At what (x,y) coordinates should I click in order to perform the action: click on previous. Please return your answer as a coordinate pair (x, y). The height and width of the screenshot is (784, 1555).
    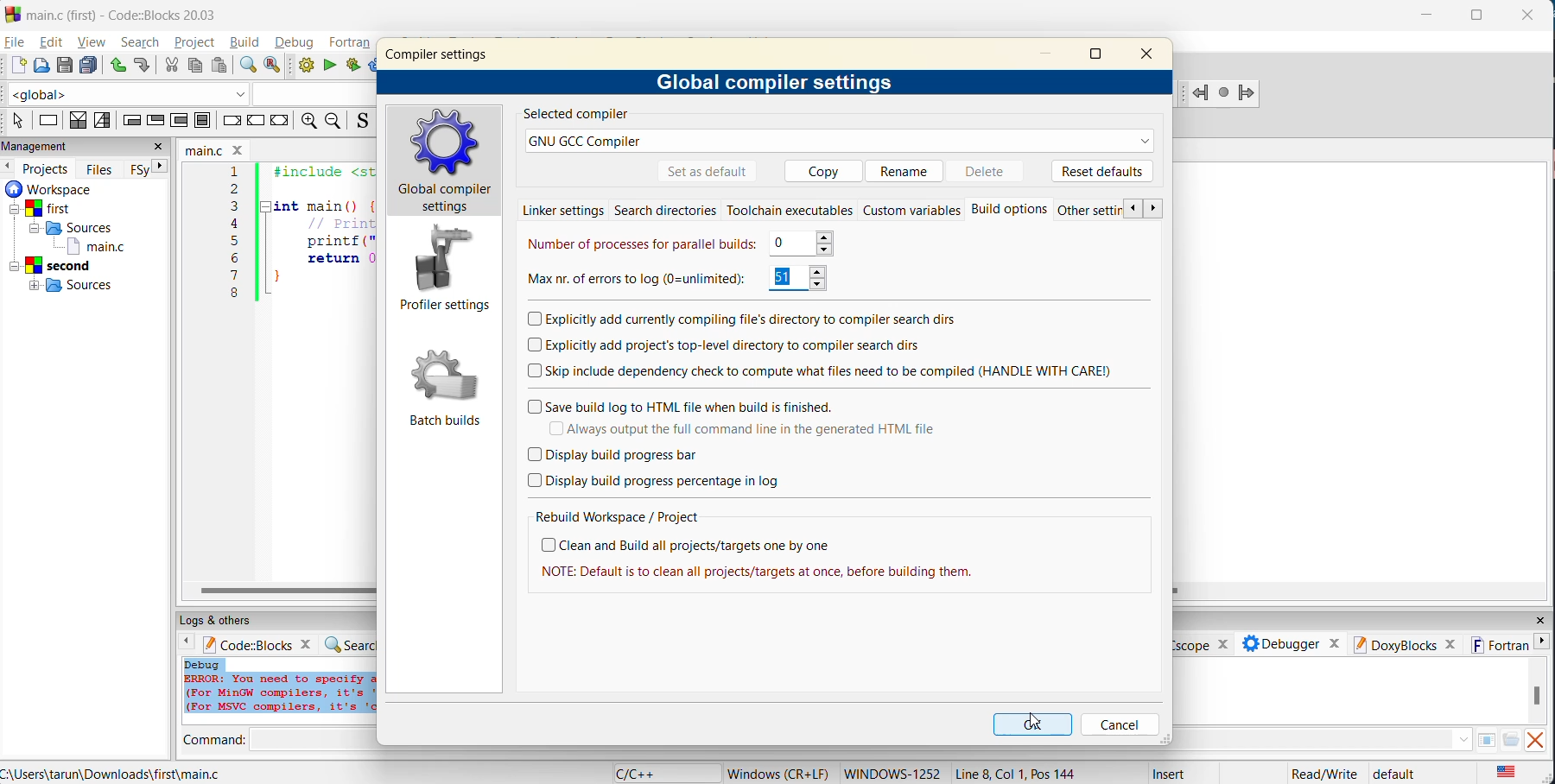
    Looking at the image, I should click on (10, 167).